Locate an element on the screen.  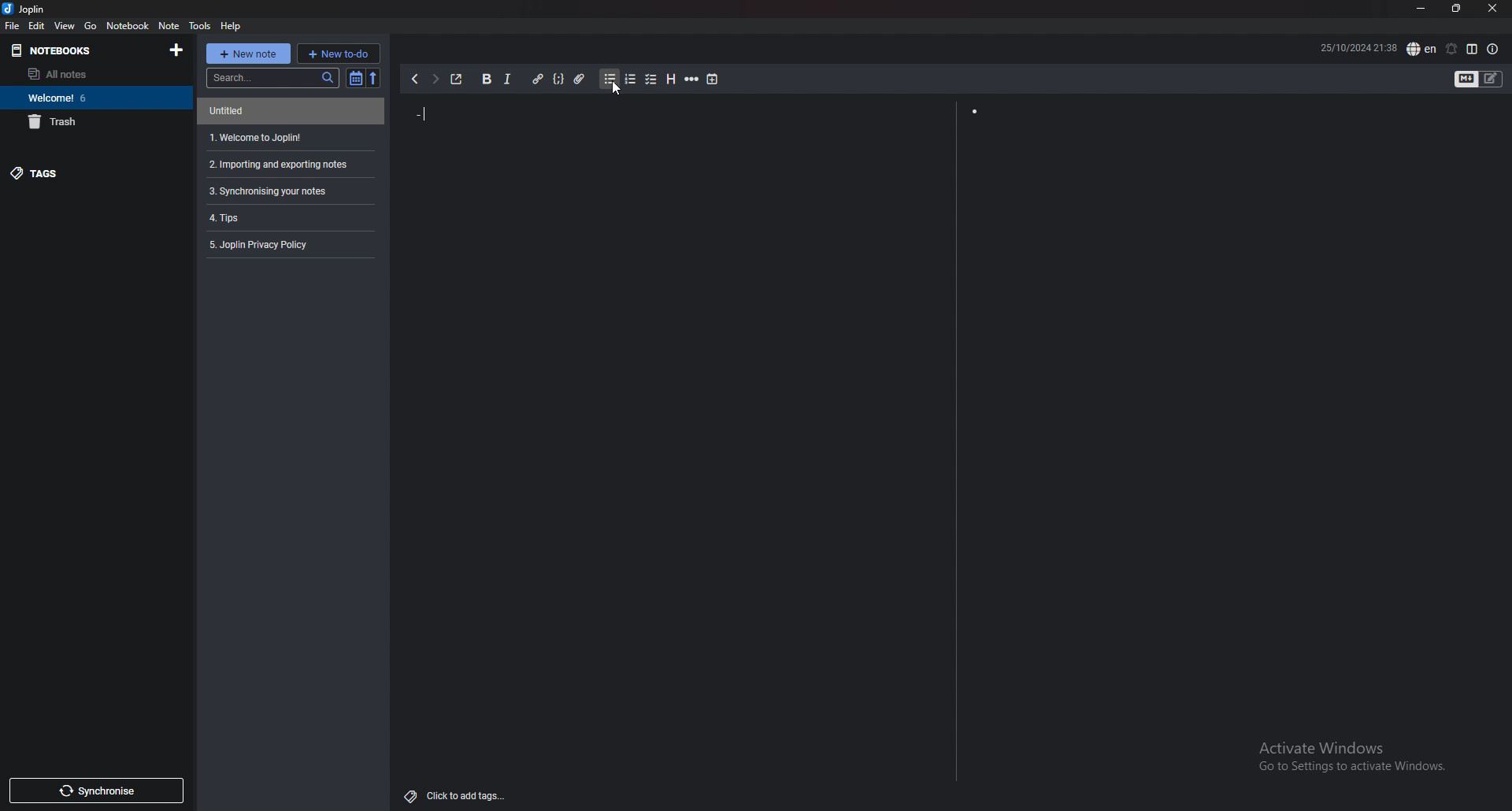
Notebooks is located at coordinates (48, 47).